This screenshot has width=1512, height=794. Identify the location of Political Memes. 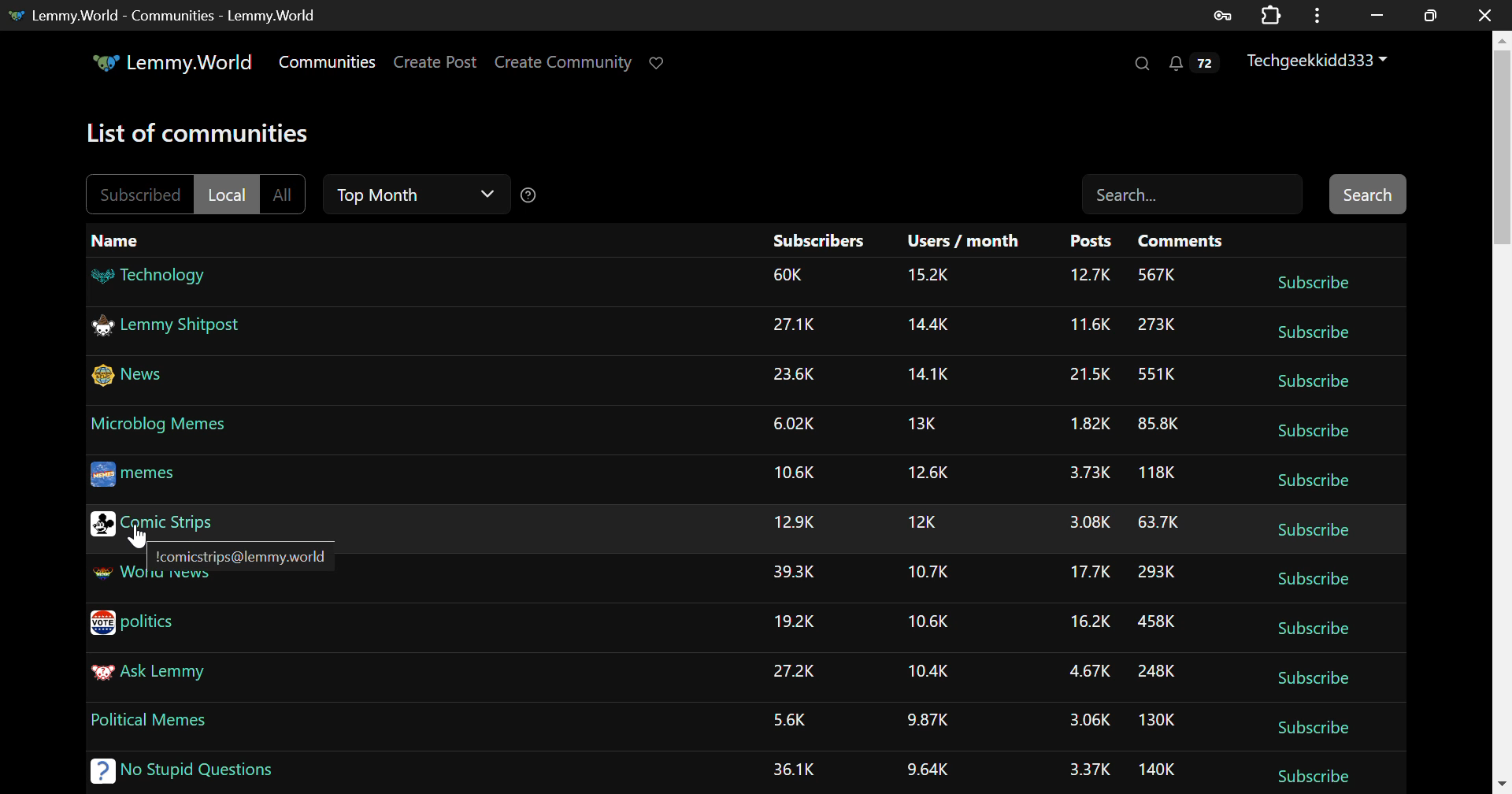
(161, 724).